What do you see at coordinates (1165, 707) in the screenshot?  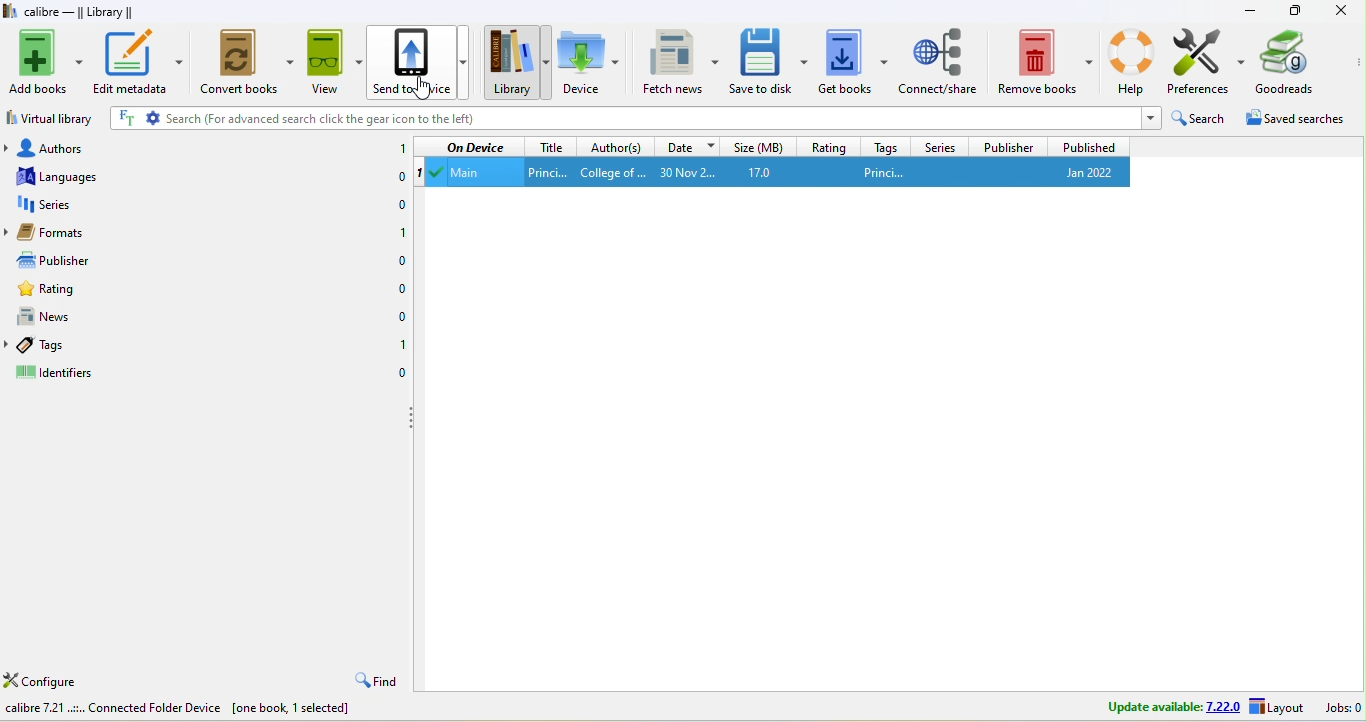 I see `update available` at bounding box center [1165, 707].